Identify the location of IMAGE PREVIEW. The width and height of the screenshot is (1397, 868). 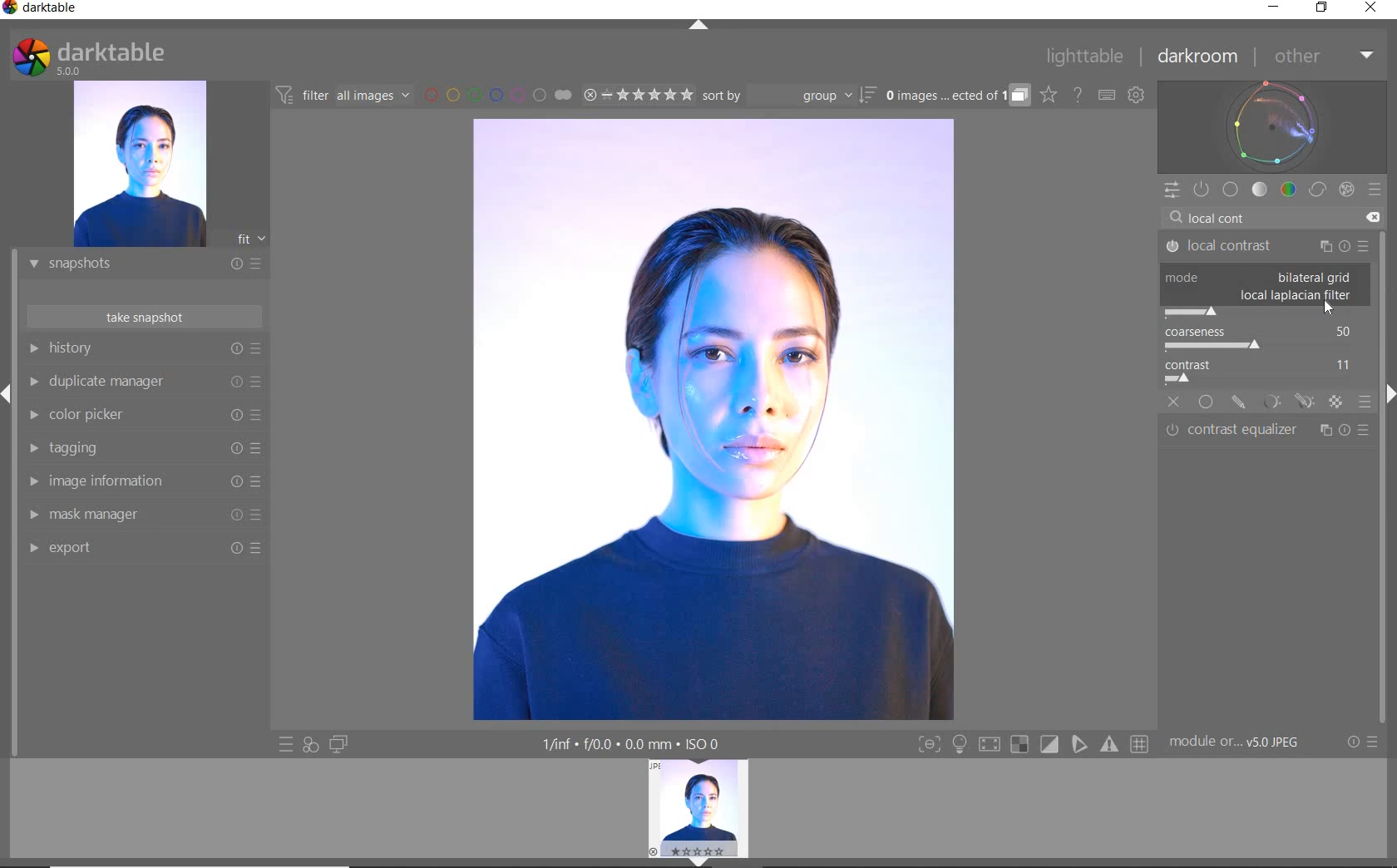
(139, 165).